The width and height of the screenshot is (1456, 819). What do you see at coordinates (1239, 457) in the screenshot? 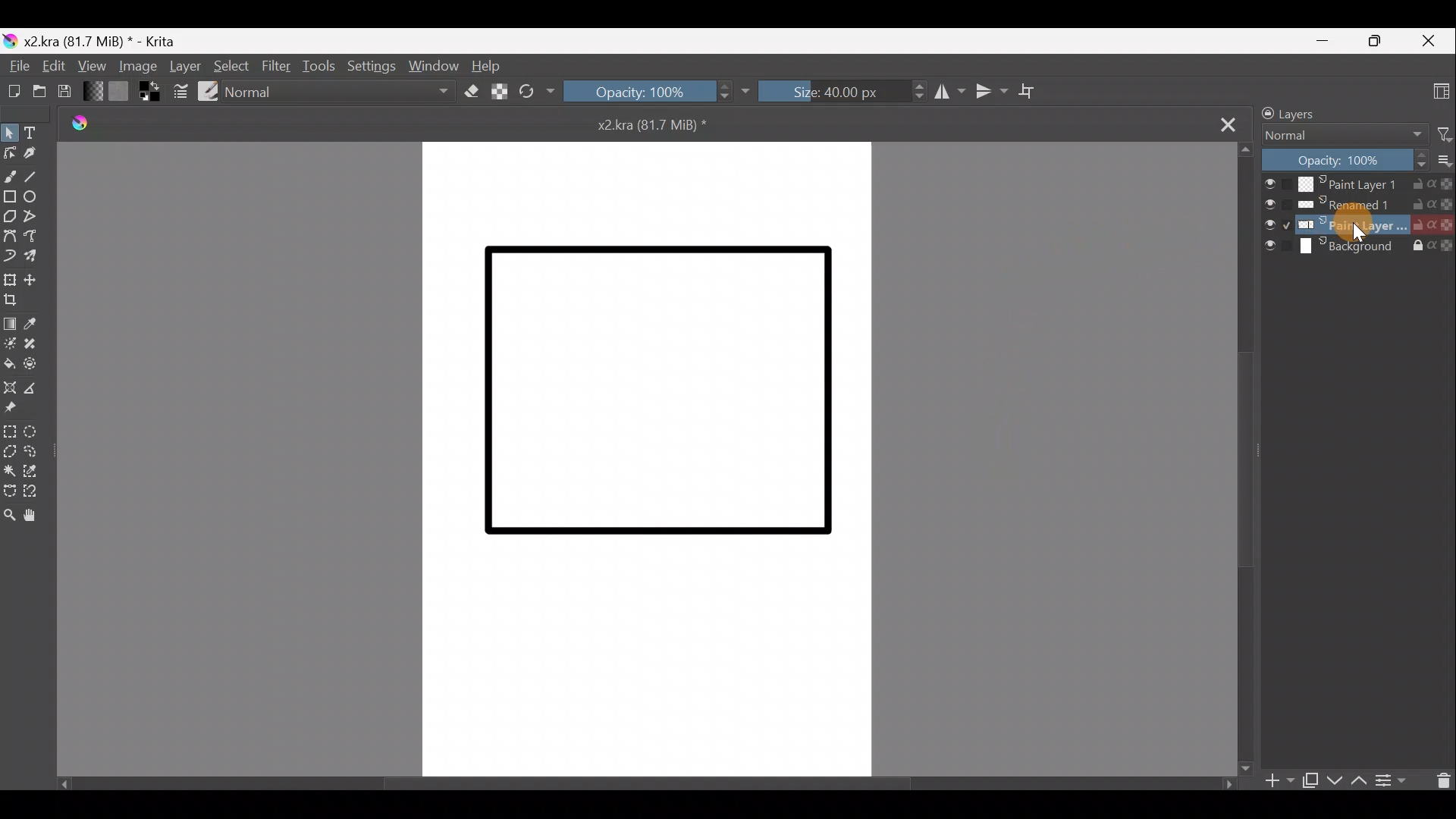
I see `Scroll bar` at bounding box center [1239, 457].